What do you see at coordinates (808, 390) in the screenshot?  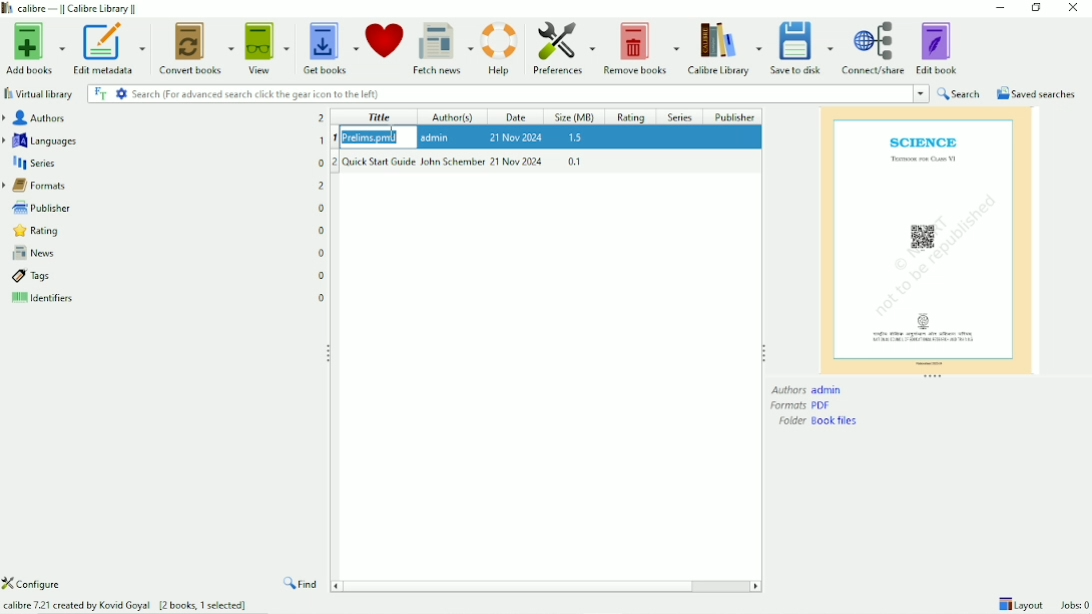 I see `Authors` at bounding box center [808, 390].